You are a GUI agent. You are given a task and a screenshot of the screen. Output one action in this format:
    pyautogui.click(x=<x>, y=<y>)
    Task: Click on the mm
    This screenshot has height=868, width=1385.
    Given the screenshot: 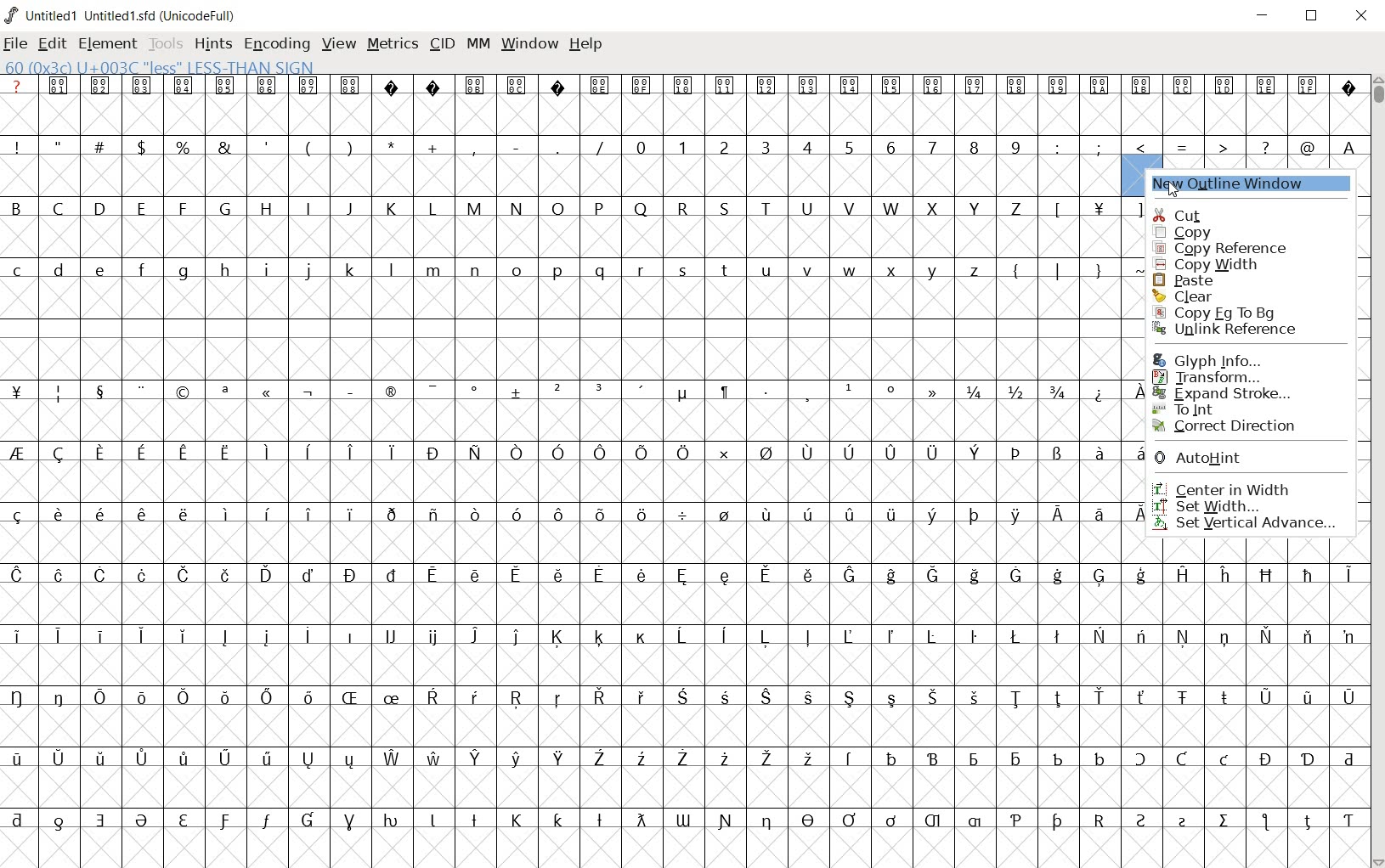 What is the action you would take?
    pyautogui.click(x=477, y=45)
    